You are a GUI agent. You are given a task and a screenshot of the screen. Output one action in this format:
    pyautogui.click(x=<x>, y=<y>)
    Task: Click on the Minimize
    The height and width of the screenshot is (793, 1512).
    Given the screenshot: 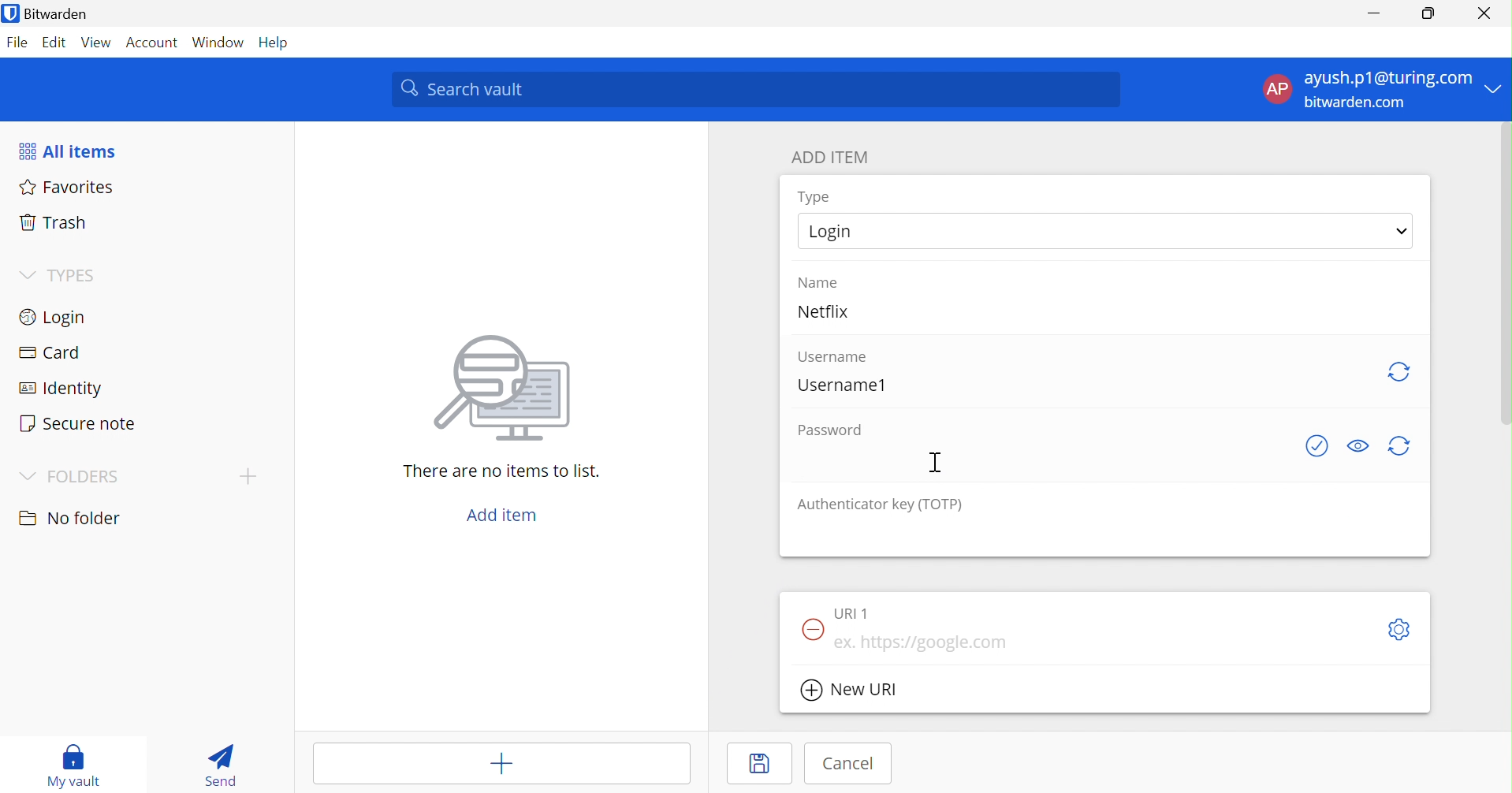 What is the action you would take?
    pyautogui.click(x=1379, y=14)
    